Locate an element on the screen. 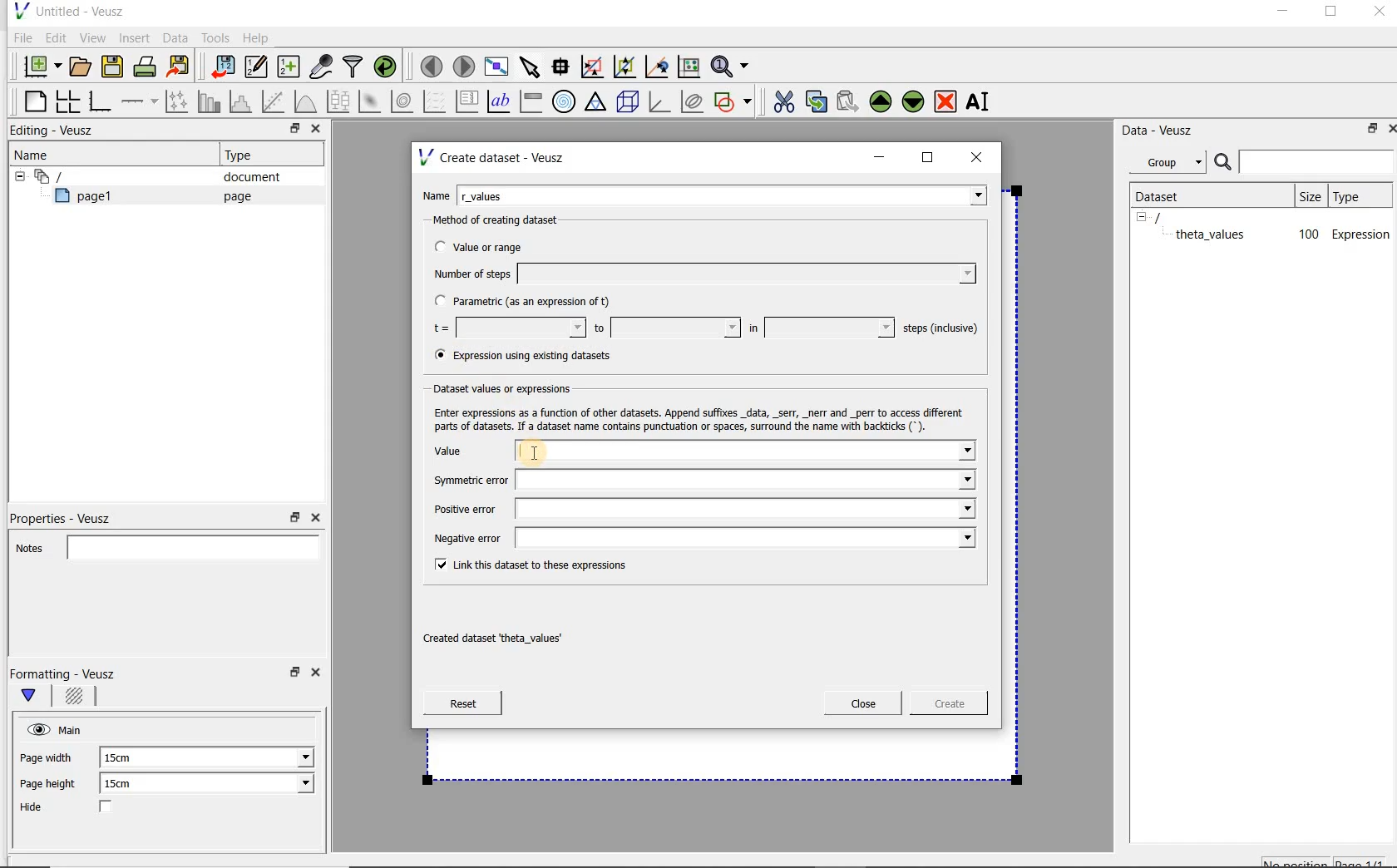  click to recenter graph axes is located at coordinates (658, 67).